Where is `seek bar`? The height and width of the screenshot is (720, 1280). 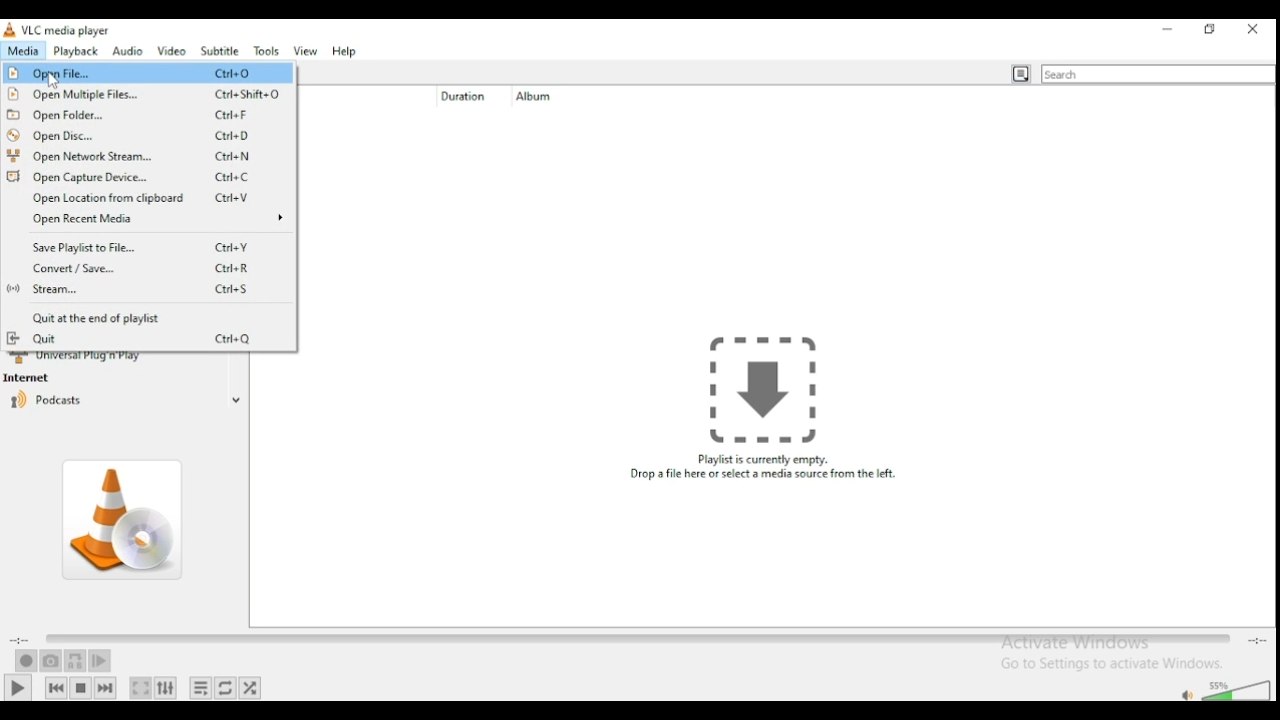 seek bar is located at coordinates (637, 637).